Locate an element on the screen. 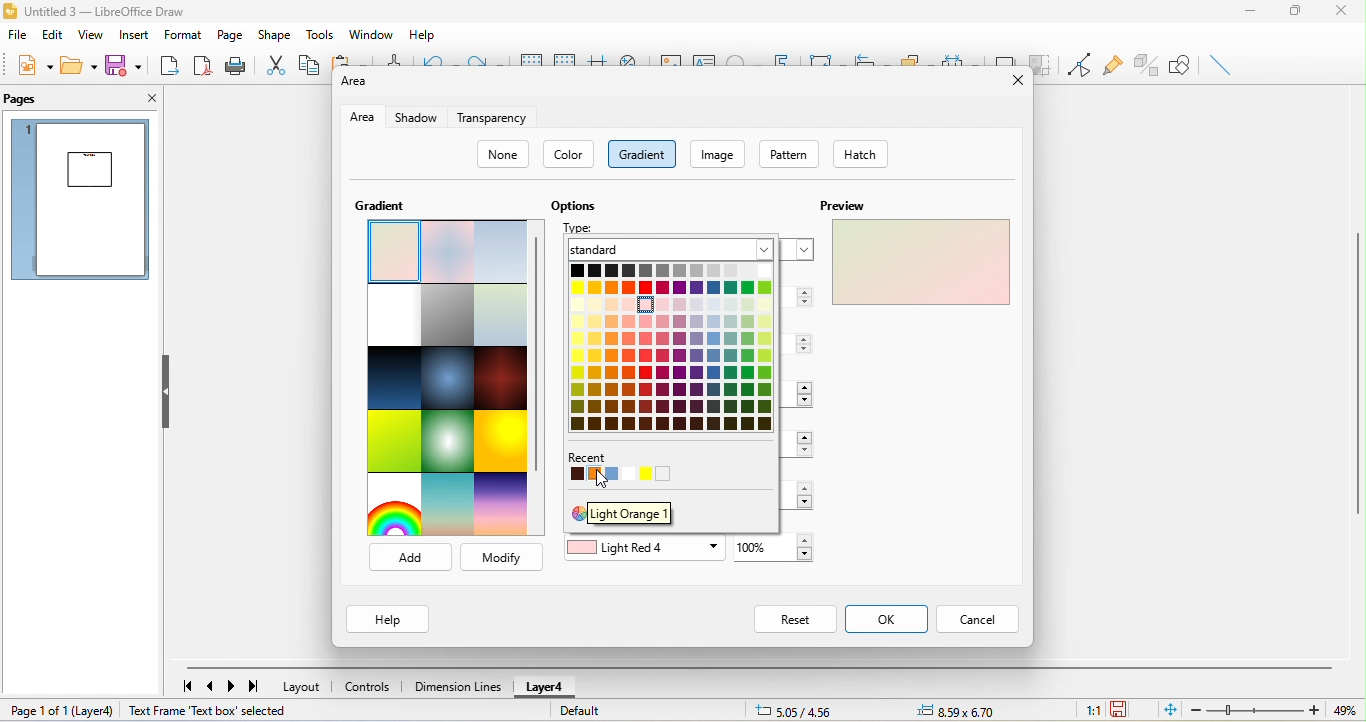 The height and width of the screenshot is (722, 1366). last page is located at coordinates (259, 689).